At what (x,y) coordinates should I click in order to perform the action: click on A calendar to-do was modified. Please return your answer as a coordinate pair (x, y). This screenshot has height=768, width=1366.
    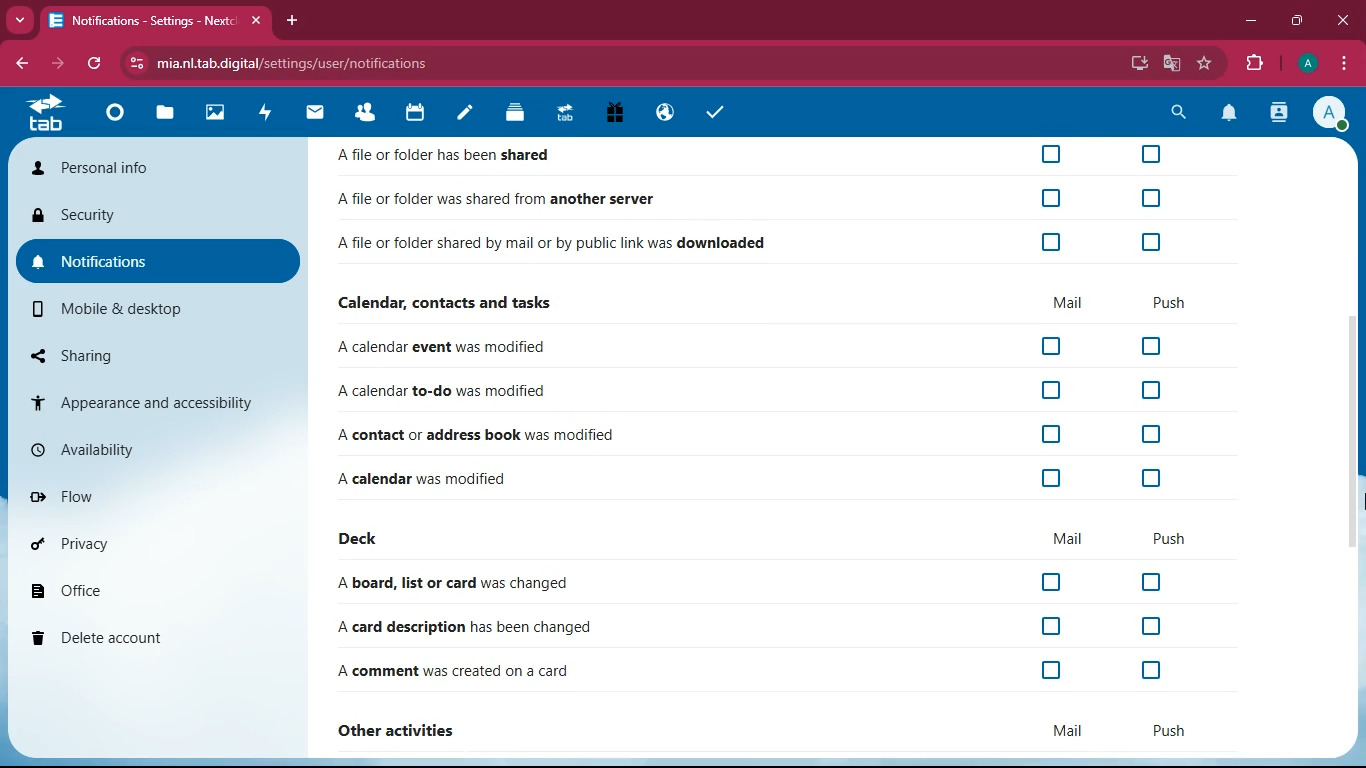
    Looking at the image, I should click on (459, 393).